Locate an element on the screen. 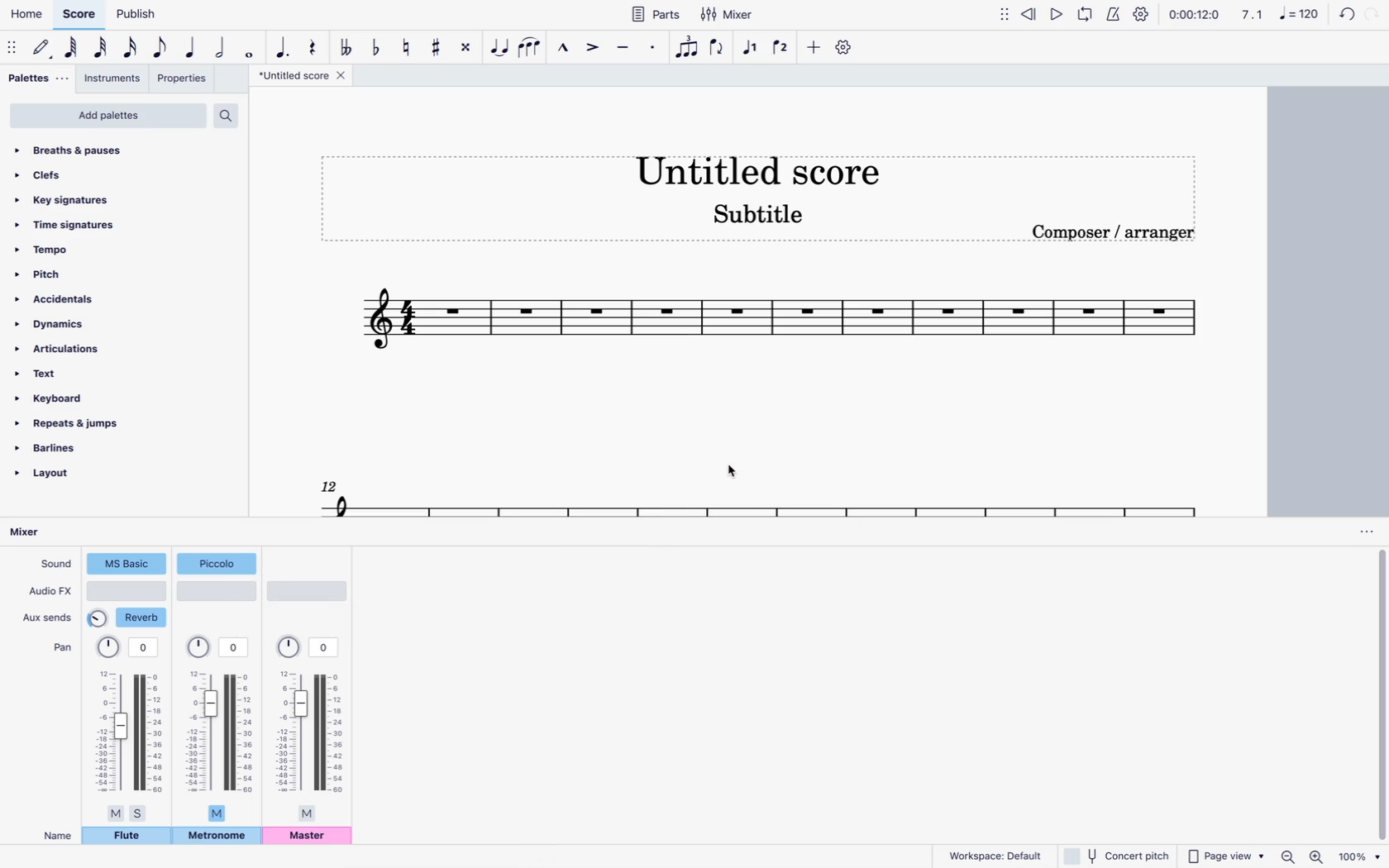 This screenshot has height=868, width=1389. score is located at coordinates (779, 324).